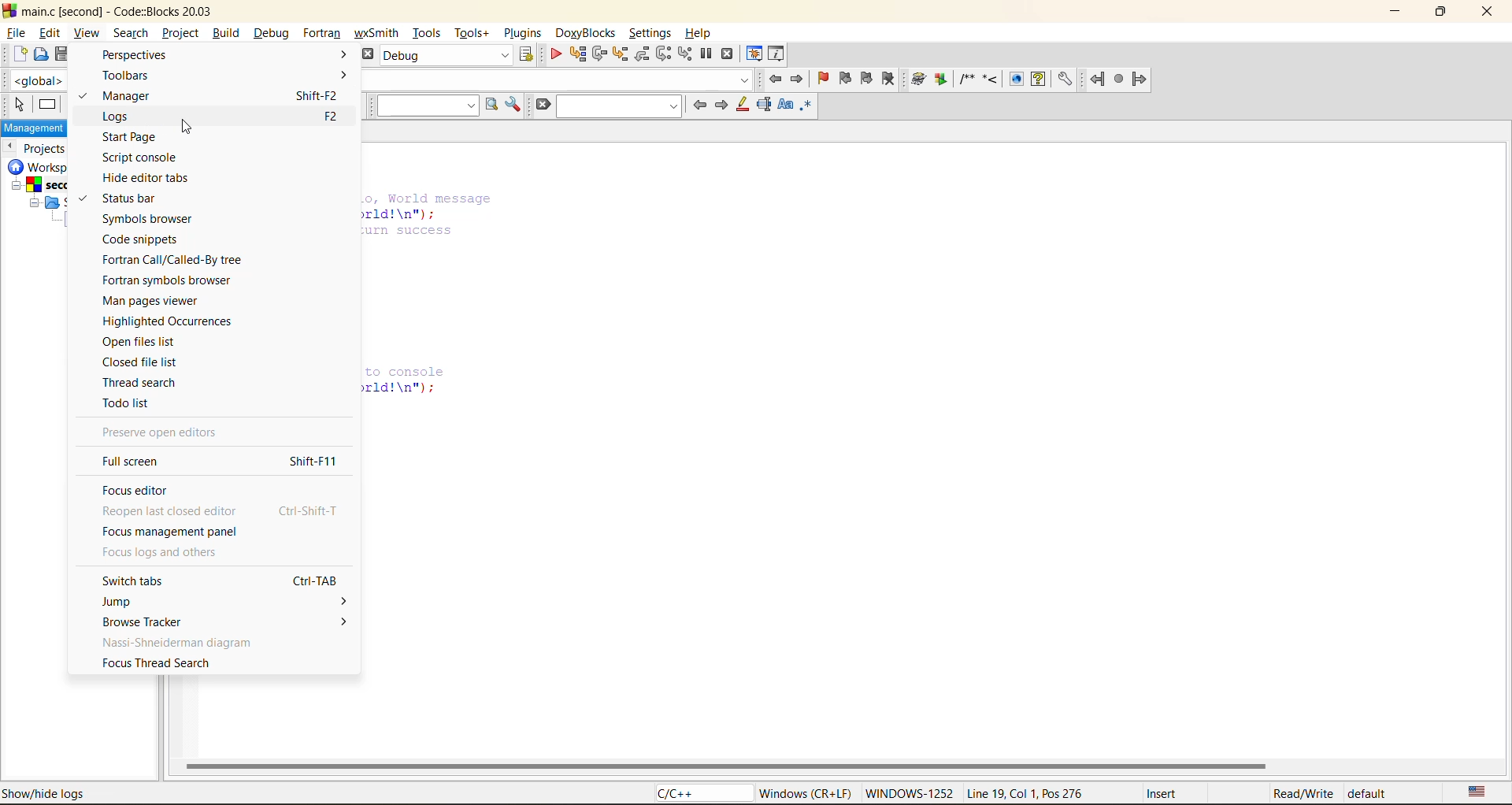 The image size is (1512, 805). Describe the element at coordinates (81, 99) in the screenshot. I see `Selected` at that location.